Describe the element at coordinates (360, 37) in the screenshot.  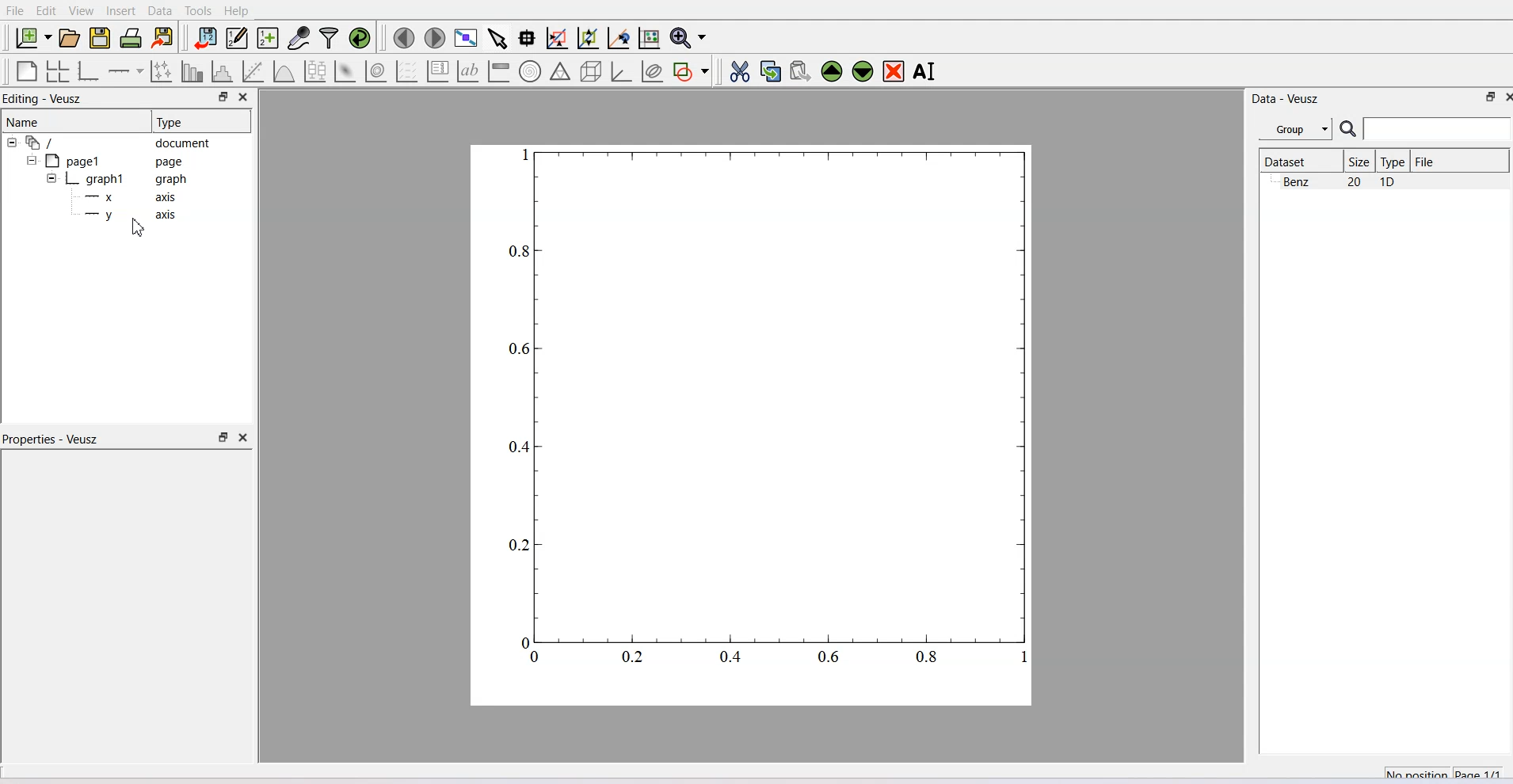
I see `Reload linked dataset` at that location.